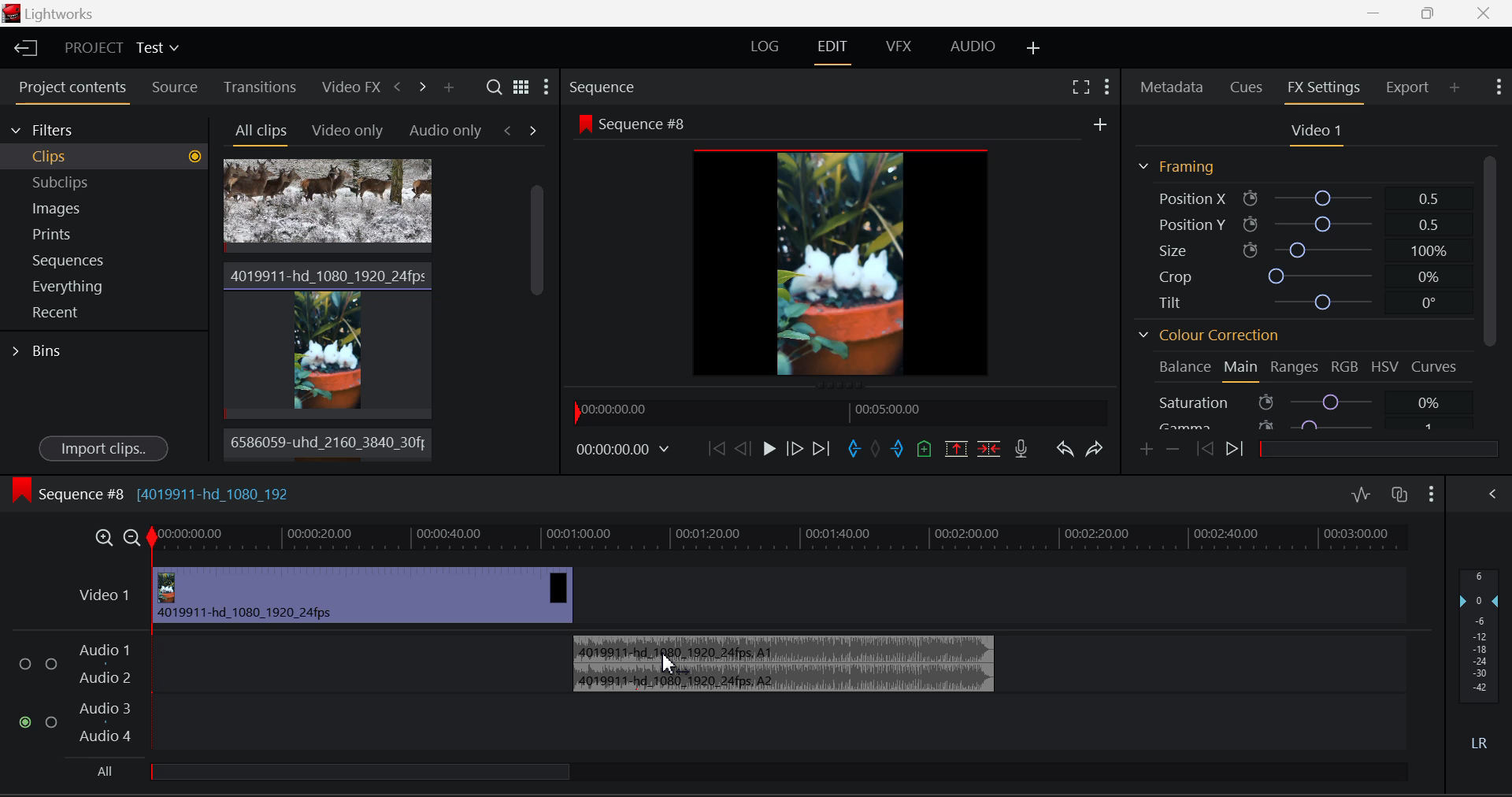 The image size is (1512, 797). I want to click on Export, so click(1406, 87).